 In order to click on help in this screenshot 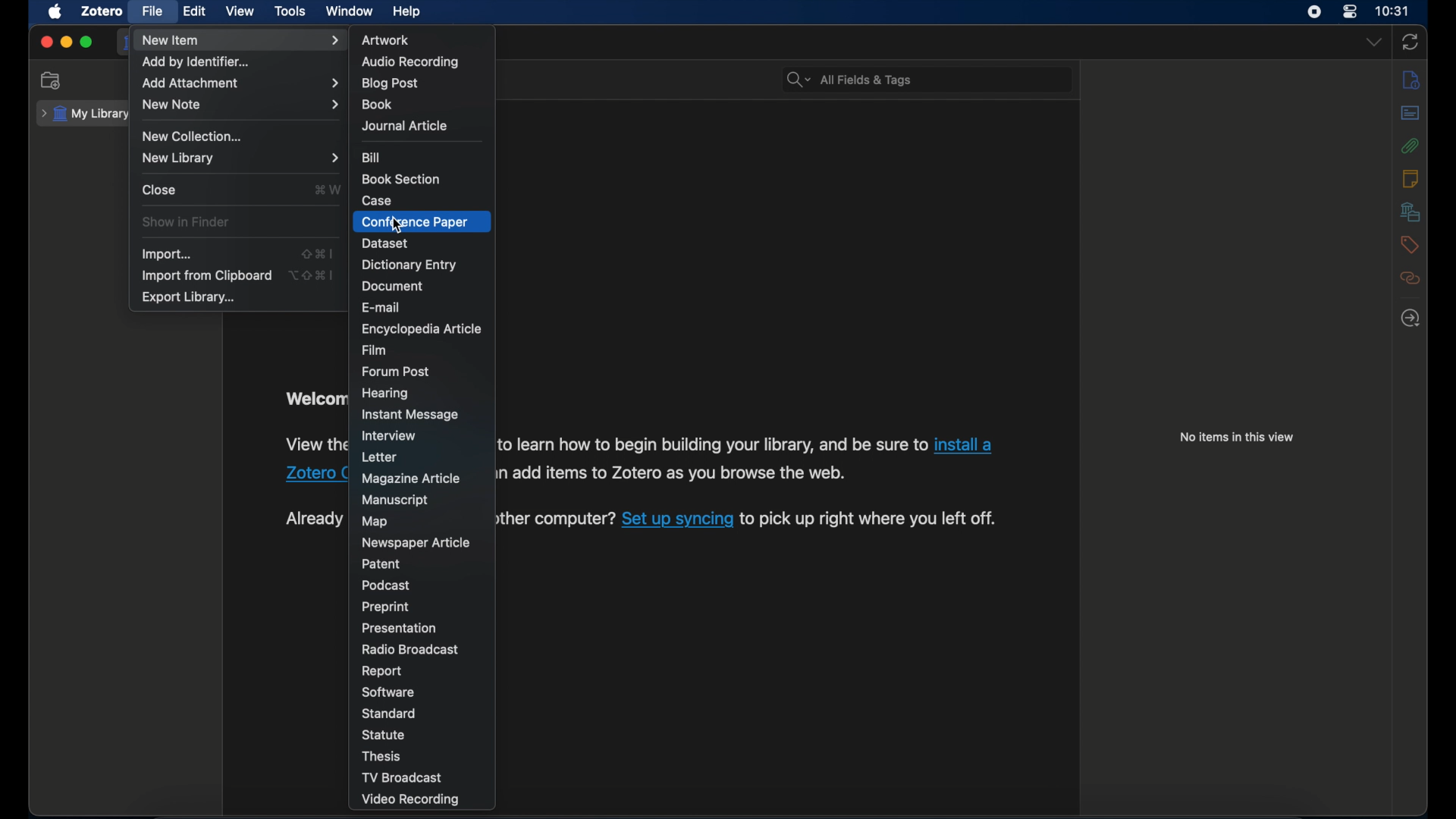, I will do `click(406, 12)`.